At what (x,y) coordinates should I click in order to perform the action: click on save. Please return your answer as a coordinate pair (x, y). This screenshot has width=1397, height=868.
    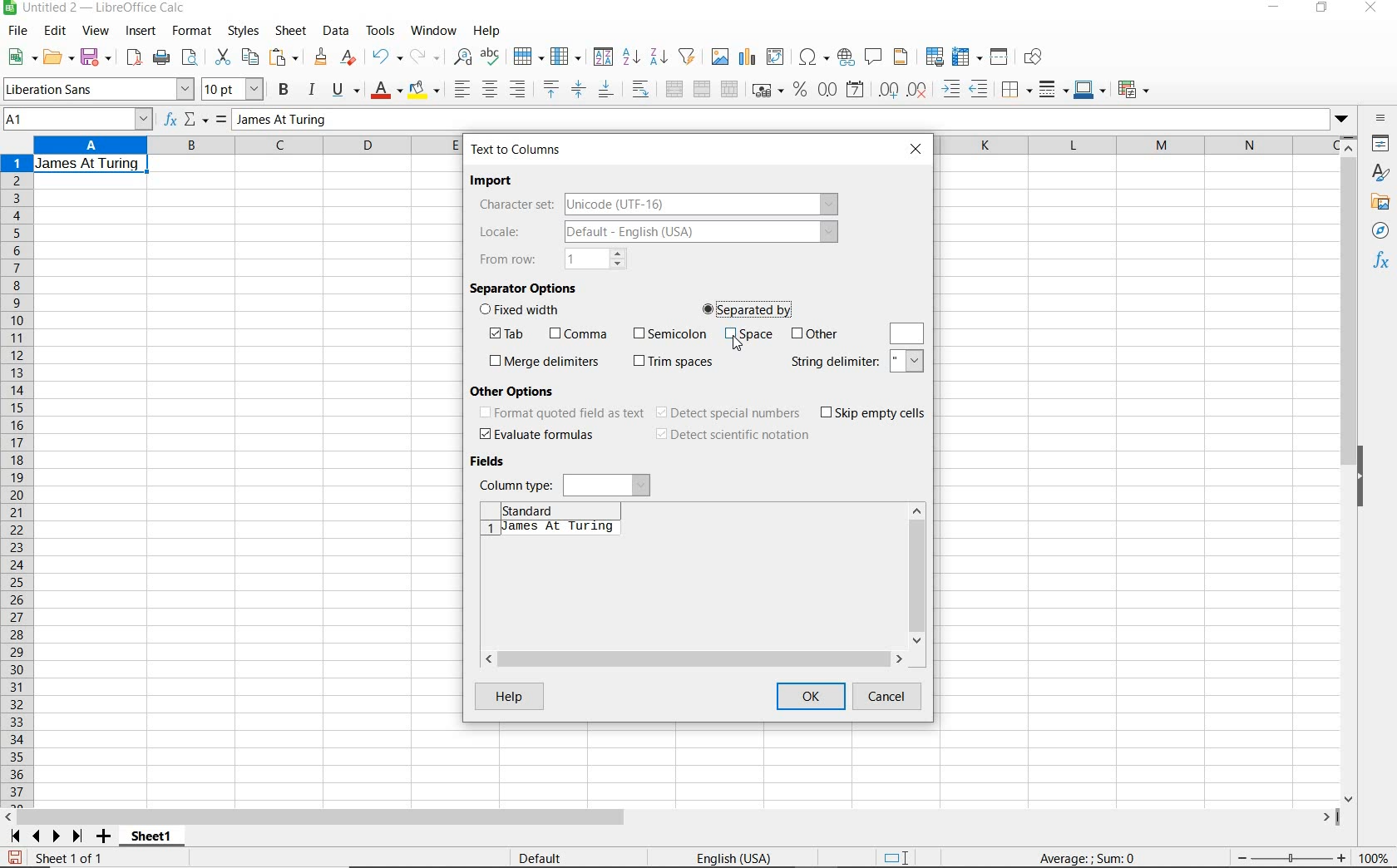
    Looking at the image, I should click on (14, 856).